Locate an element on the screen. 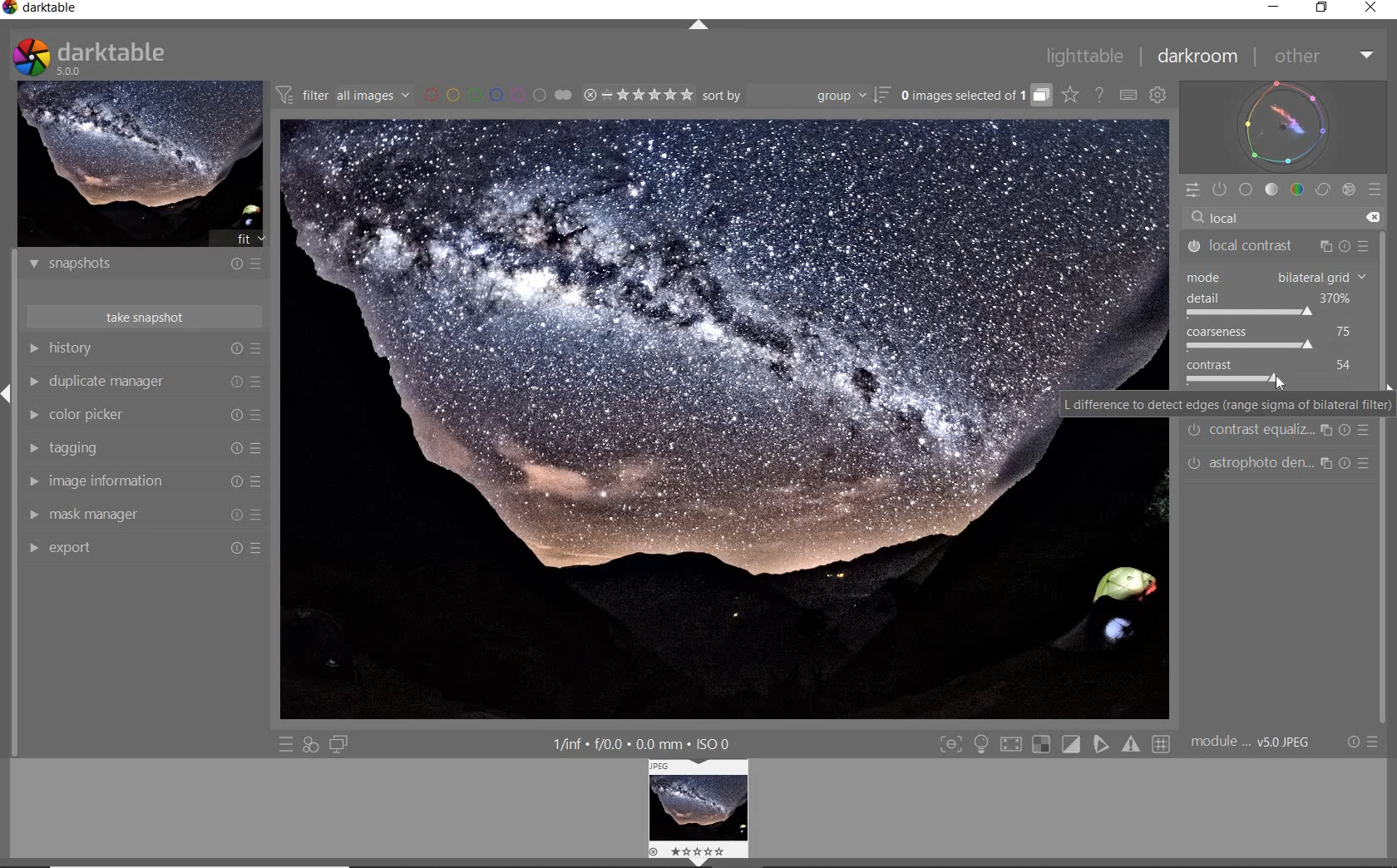  SET KEYBOARD SHORTCUTS is located at coordinates (1128, 96).